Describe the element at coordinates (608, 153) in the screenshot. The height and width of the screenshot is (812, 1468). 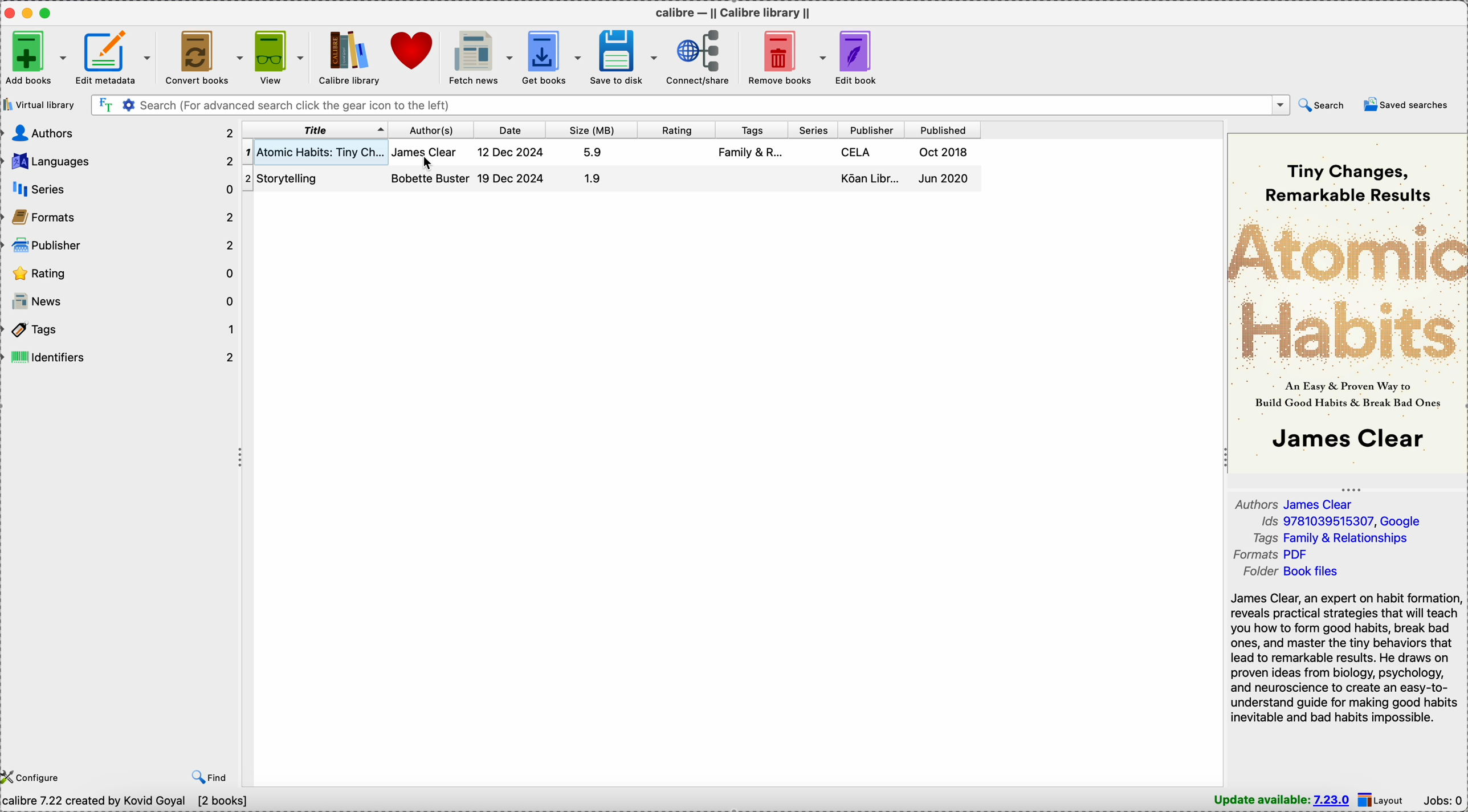
I see `Atomic Habits: Tiny Changes book details` at that location.